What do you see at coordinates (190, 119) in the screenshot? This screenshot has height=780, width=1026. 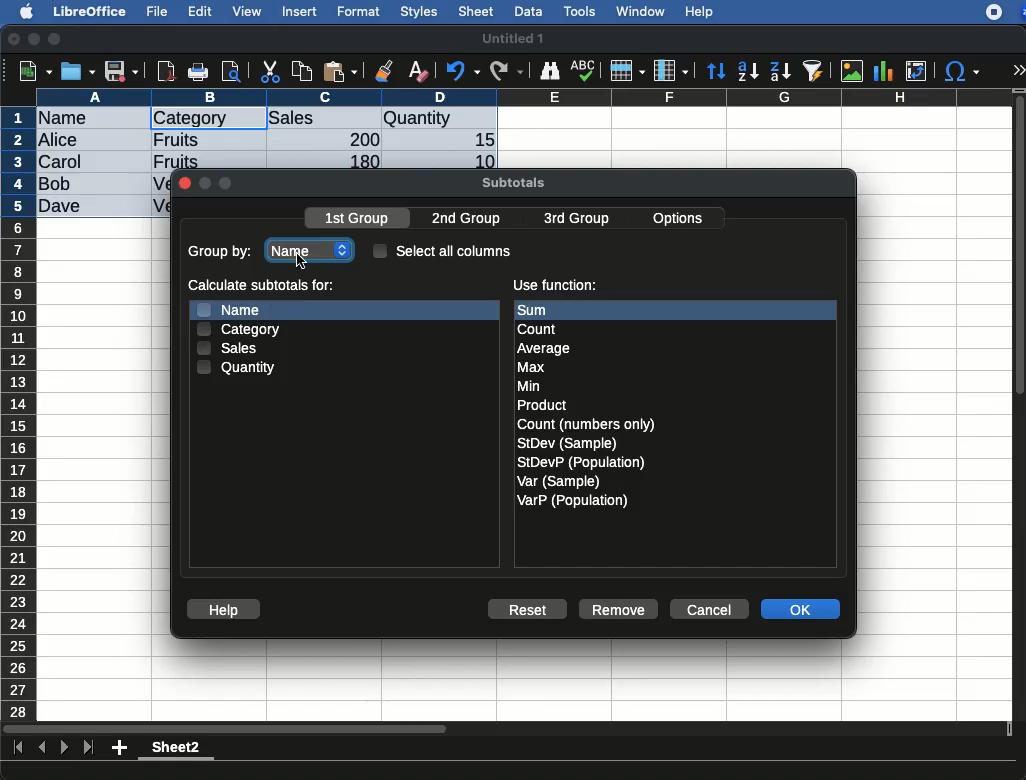 I see `category` at bounding box center [190, 119].